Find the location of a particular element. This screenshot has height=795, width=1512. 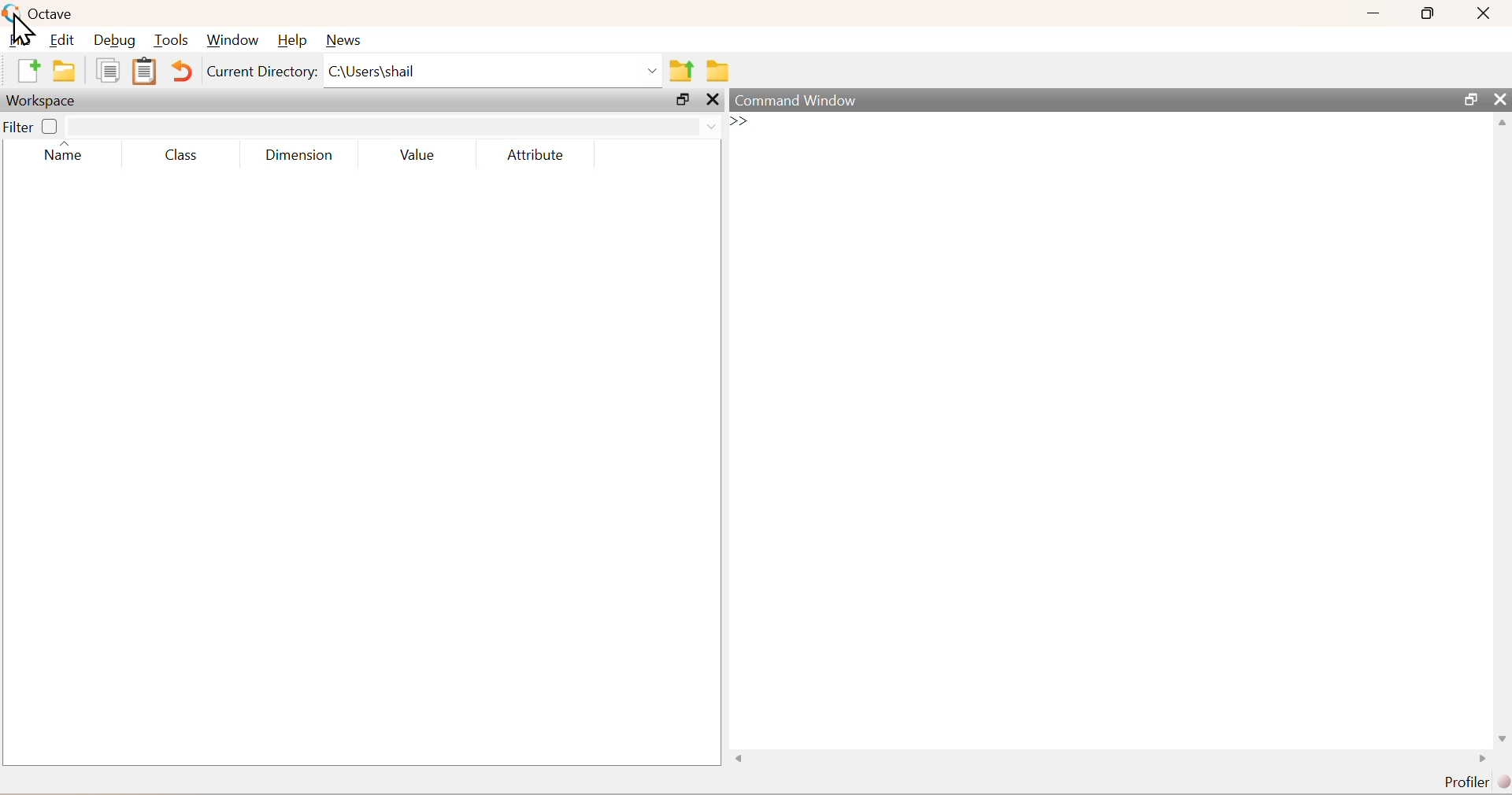

close is located at coordinates (712, 99).